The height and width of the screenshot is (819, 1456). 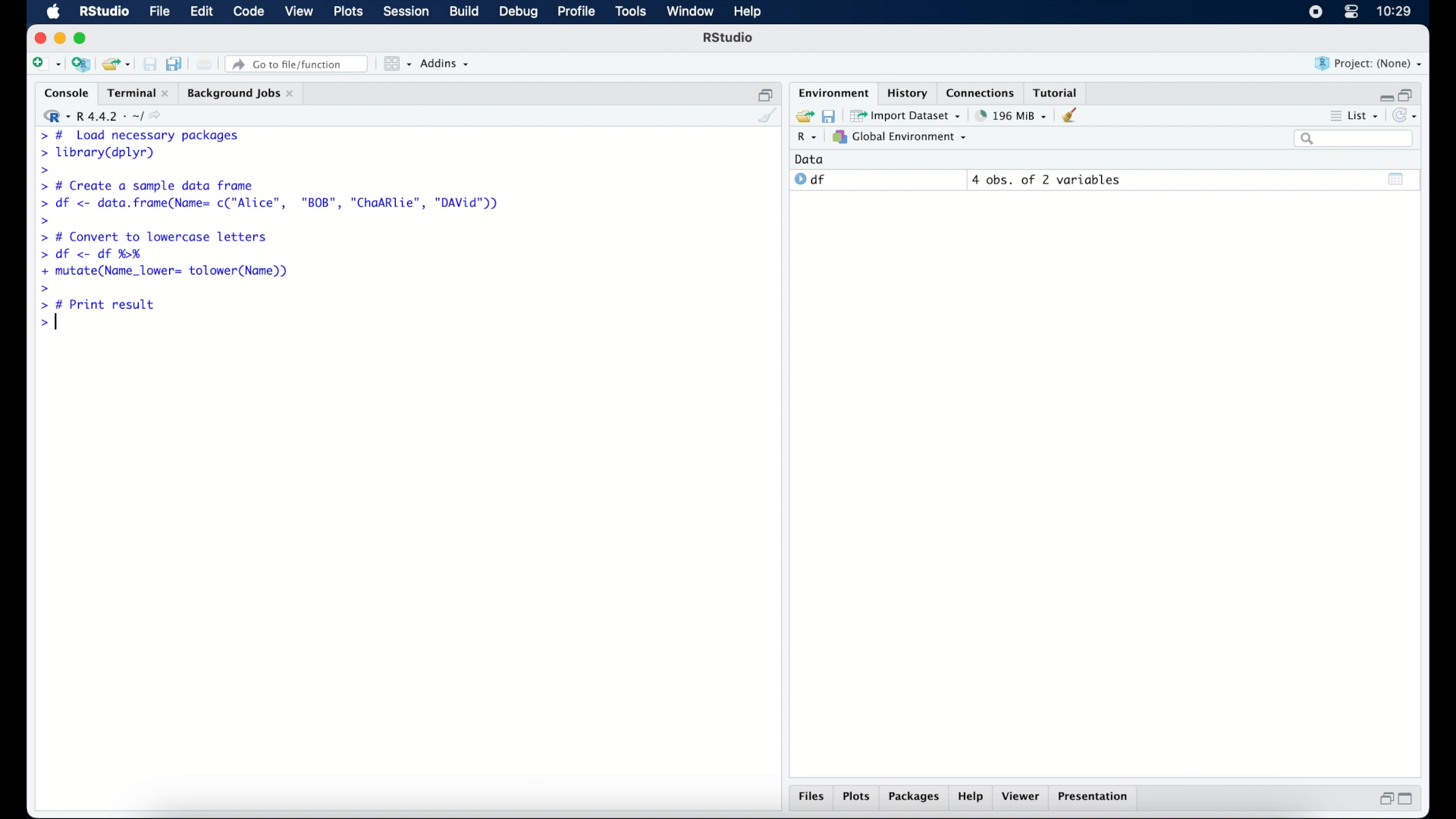 What do you see at coordinates (205, 64) in the screenshot?
I see `print` at bounding box center [205, 64].